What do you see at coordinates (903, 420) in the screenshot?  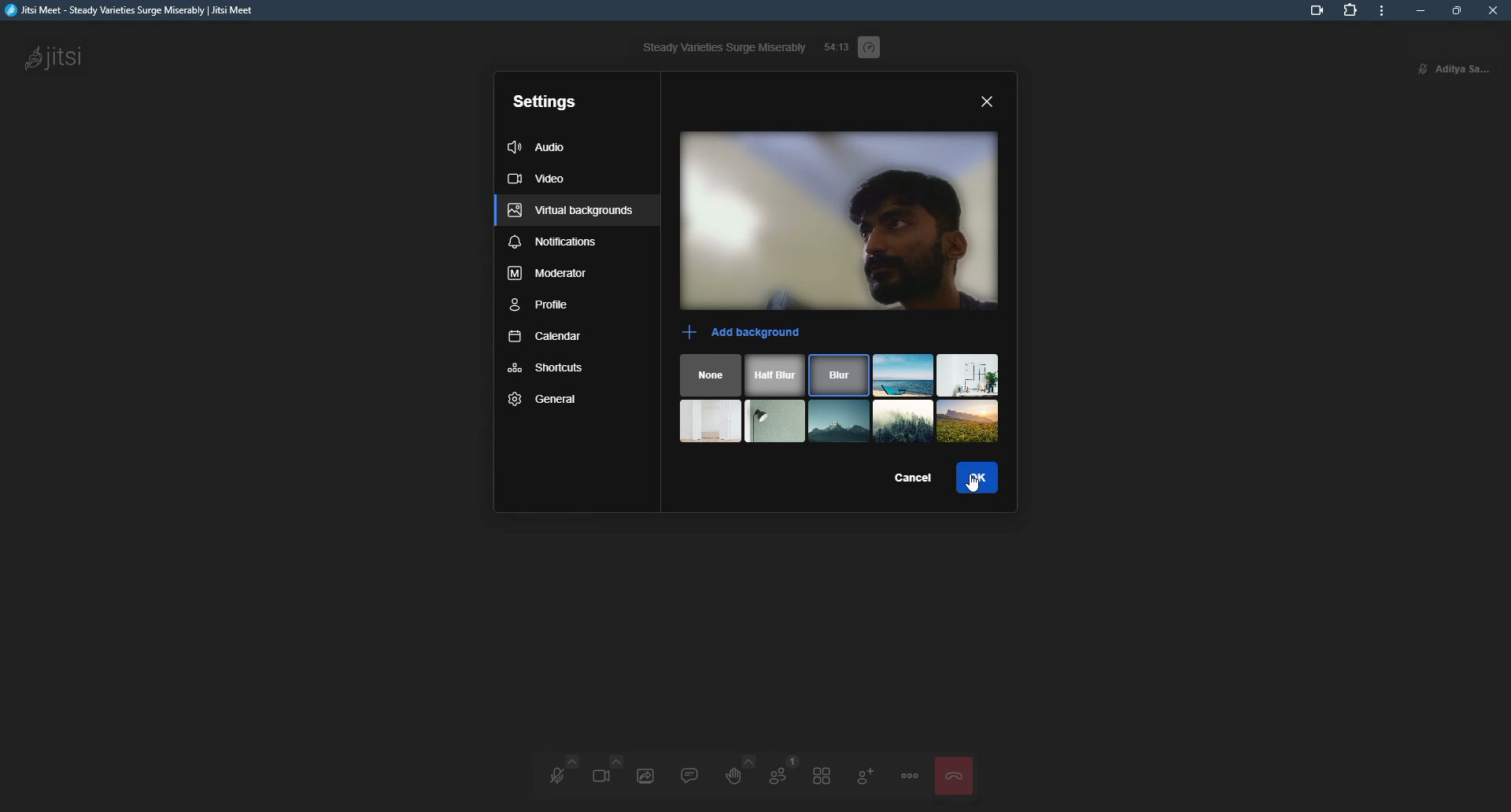 I see `scenery` at bounding box center [903, 420].